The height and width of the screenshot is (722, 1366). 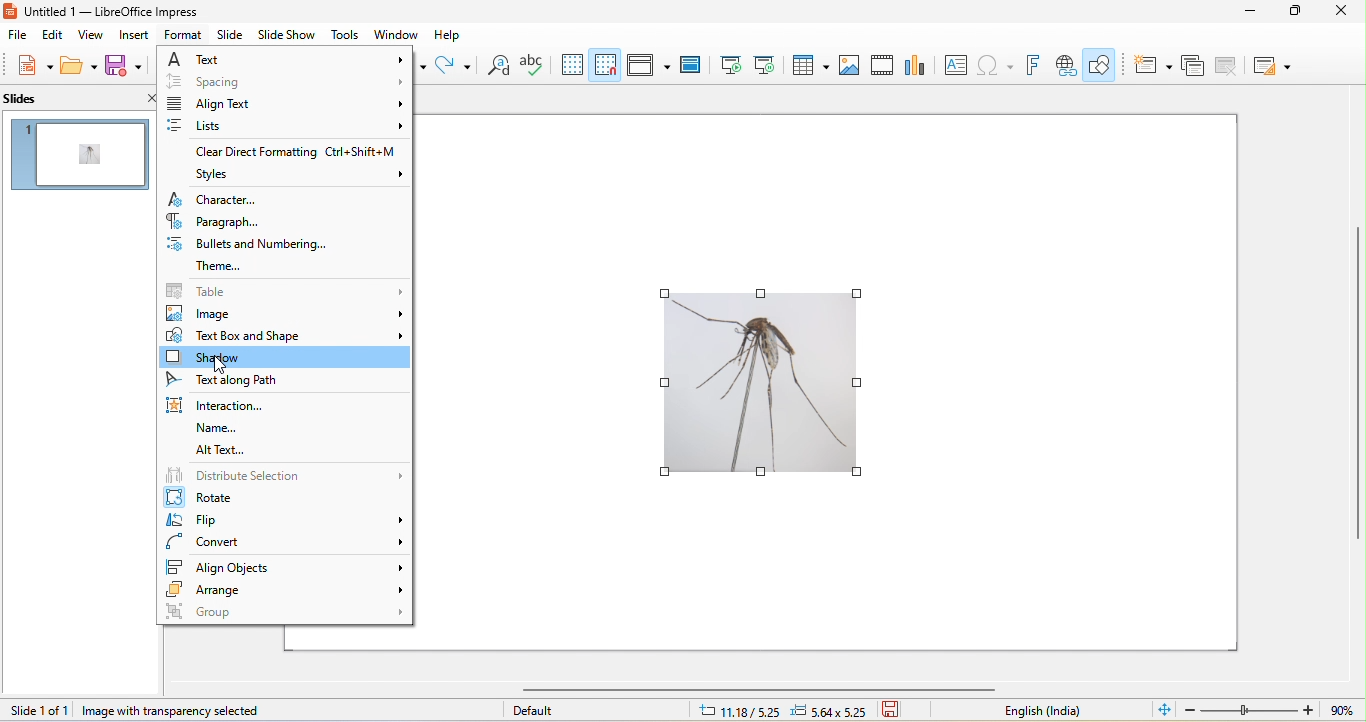 What do you see at coordinates (229, 35) in the screenshot?
I see `slide` at bounding box center [229, 35].